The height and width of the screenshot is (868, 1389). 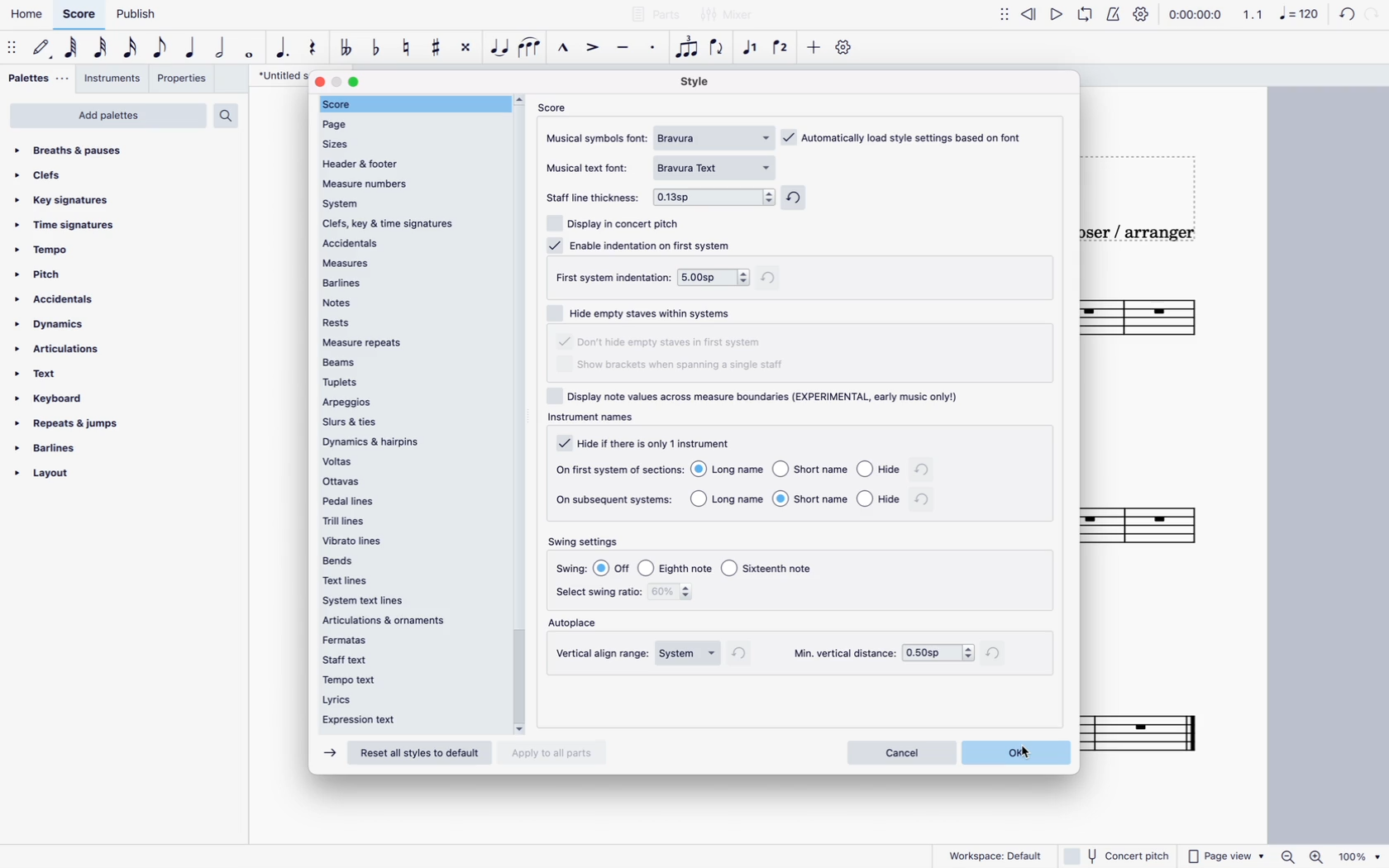 What do you see at coordinates (194, 51) in the screenshot?
I see `quarter note` at bounding box center [194, 51].